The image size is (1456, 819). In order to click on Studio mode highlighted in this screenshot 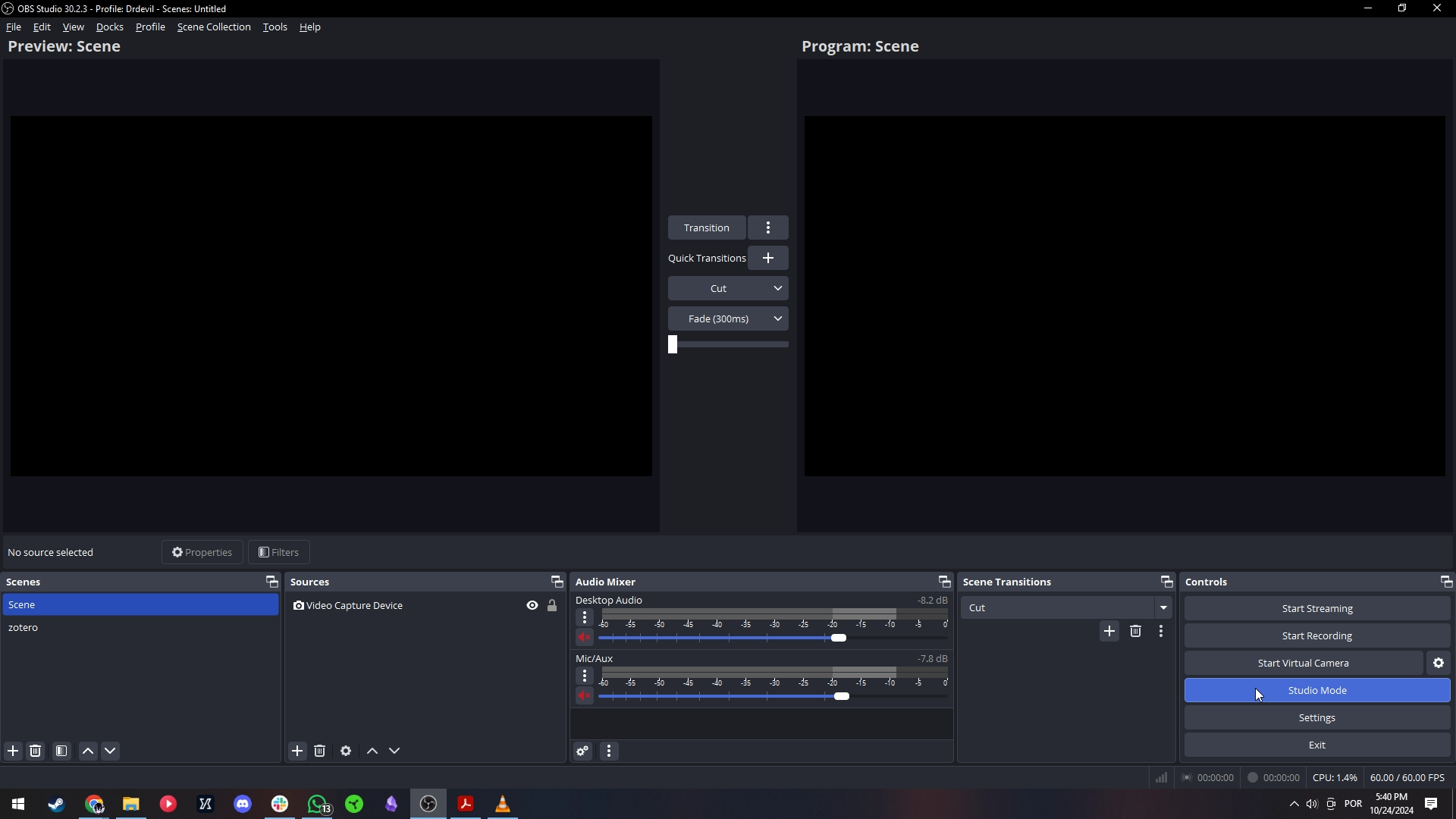, I will do `click(1319, 690)`.